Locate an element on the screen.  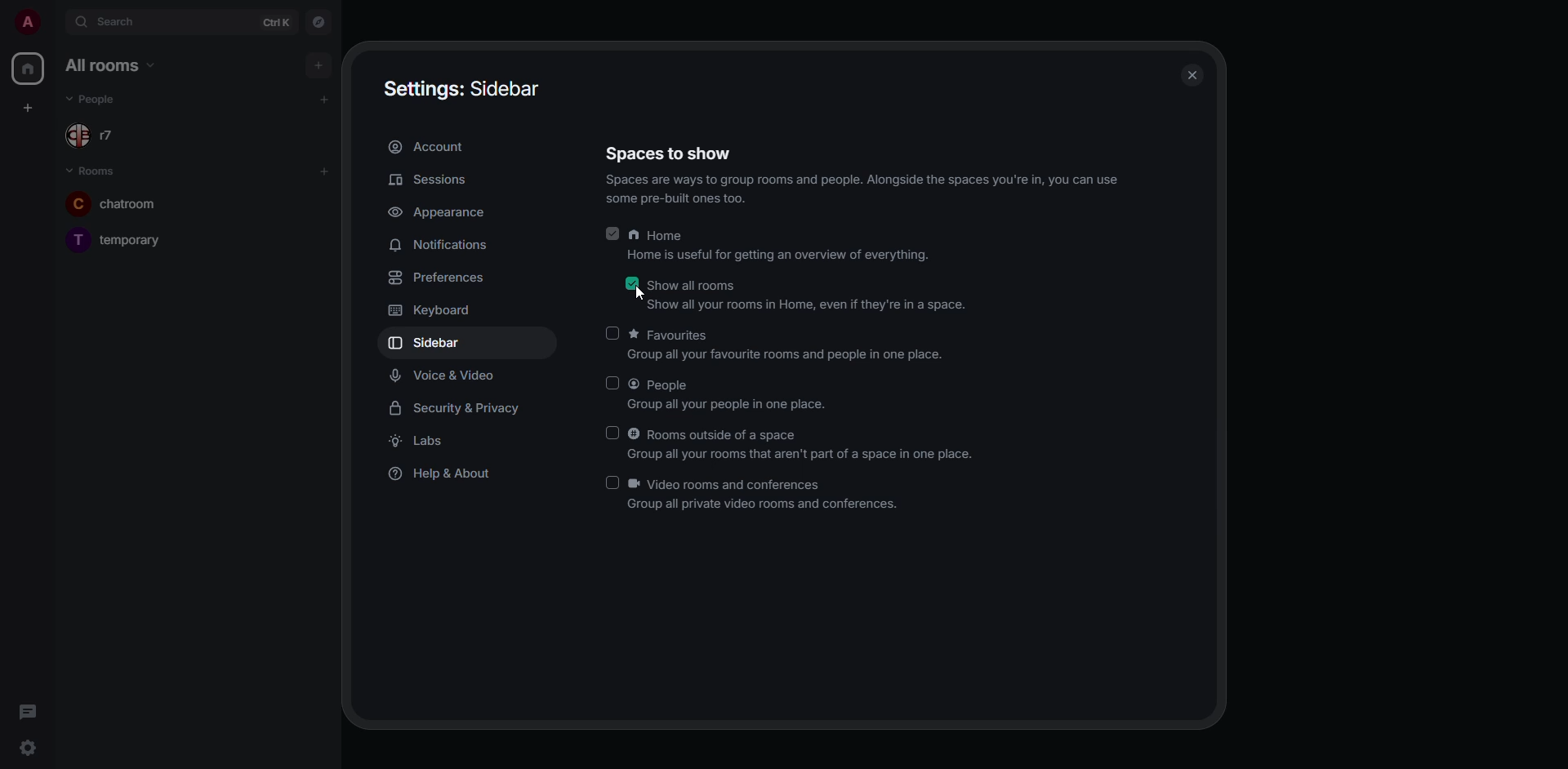
 HomeHome is useful for getting an overview of everything. is located at coordinates (784, 246).